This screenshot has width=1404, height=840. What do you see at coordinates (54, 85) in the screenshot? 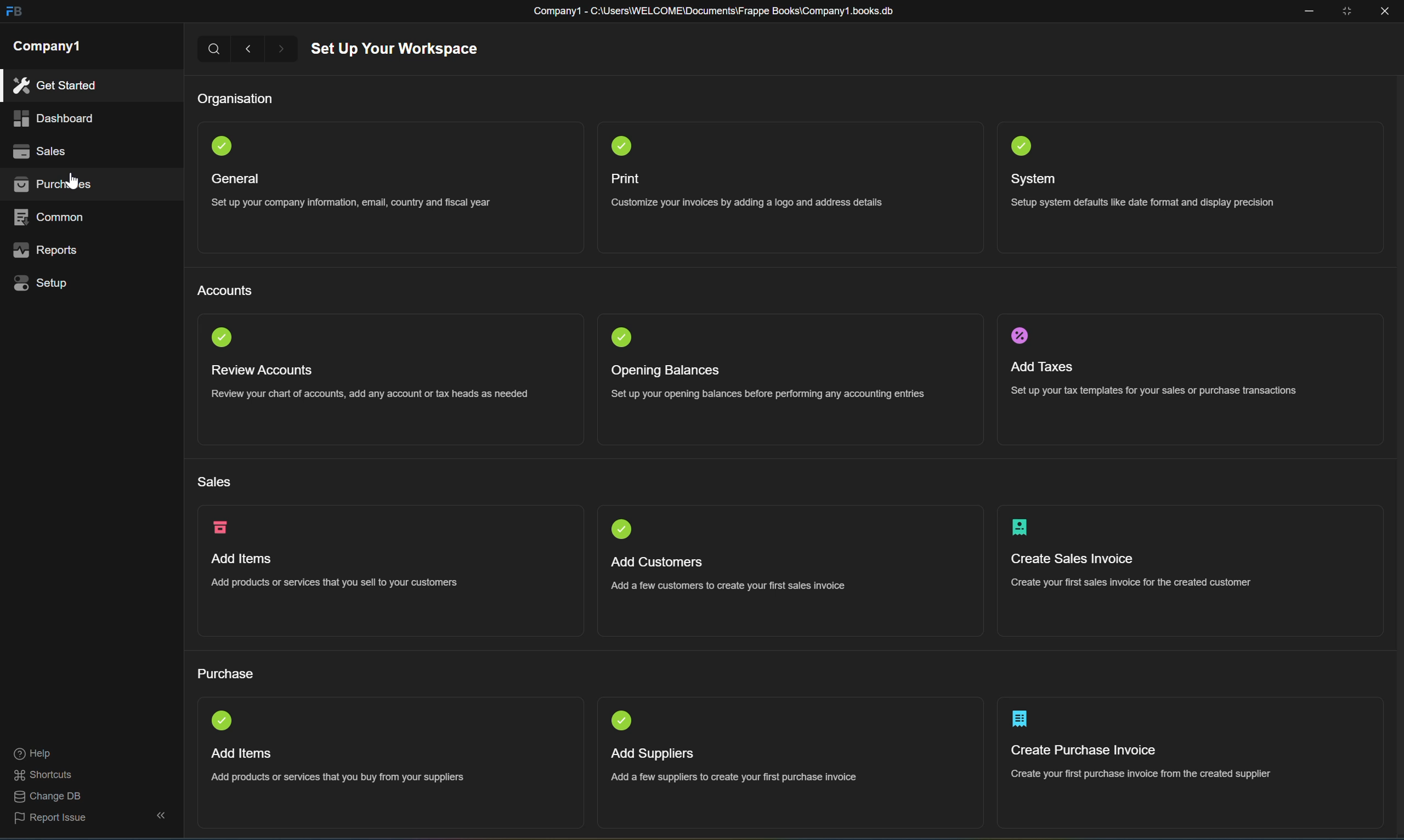
I see `get started` at bounding box center [54, 85].